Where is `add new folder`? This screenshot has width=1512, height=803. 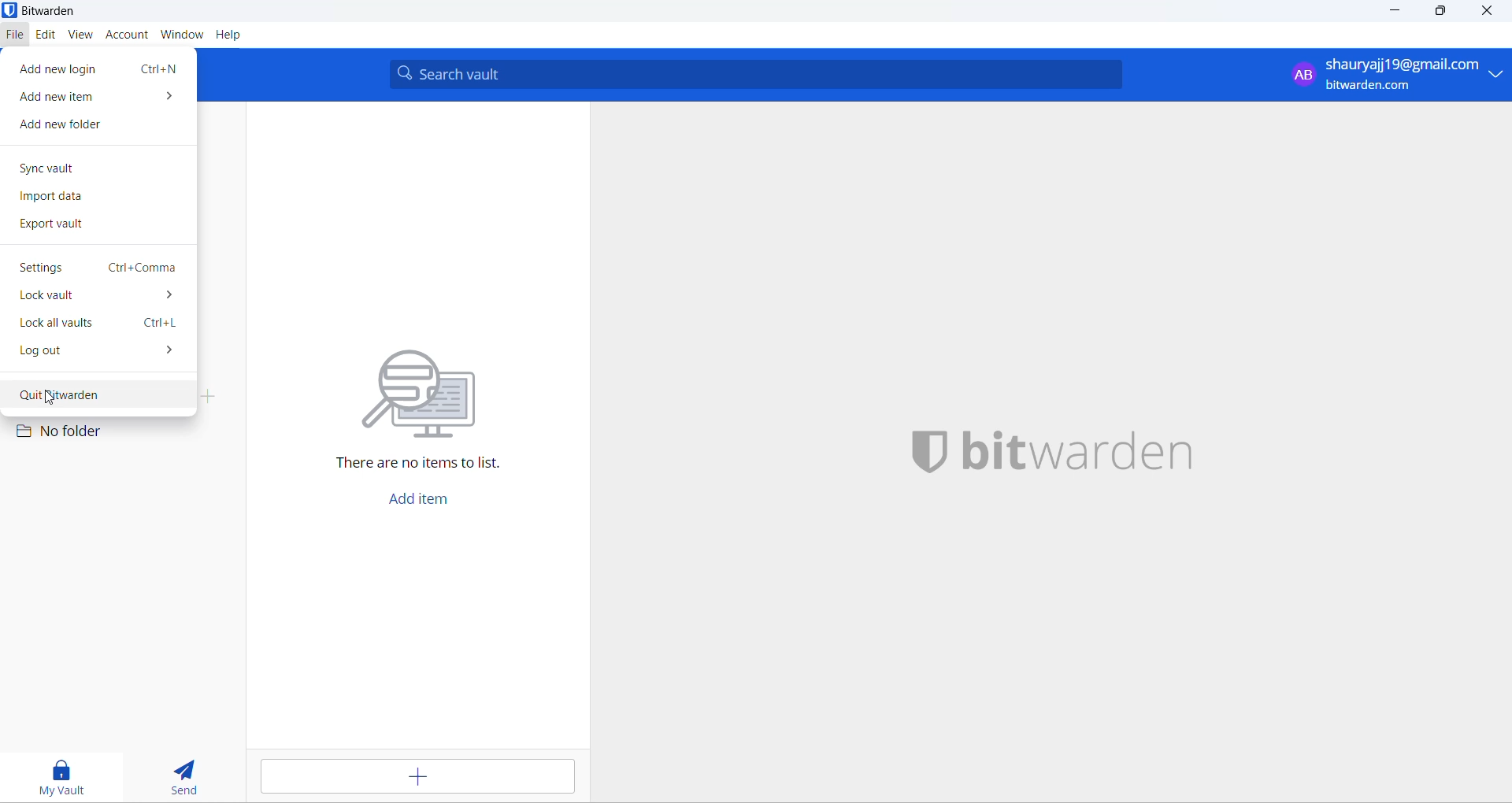
add new folder is located at coordinates (100, 128).